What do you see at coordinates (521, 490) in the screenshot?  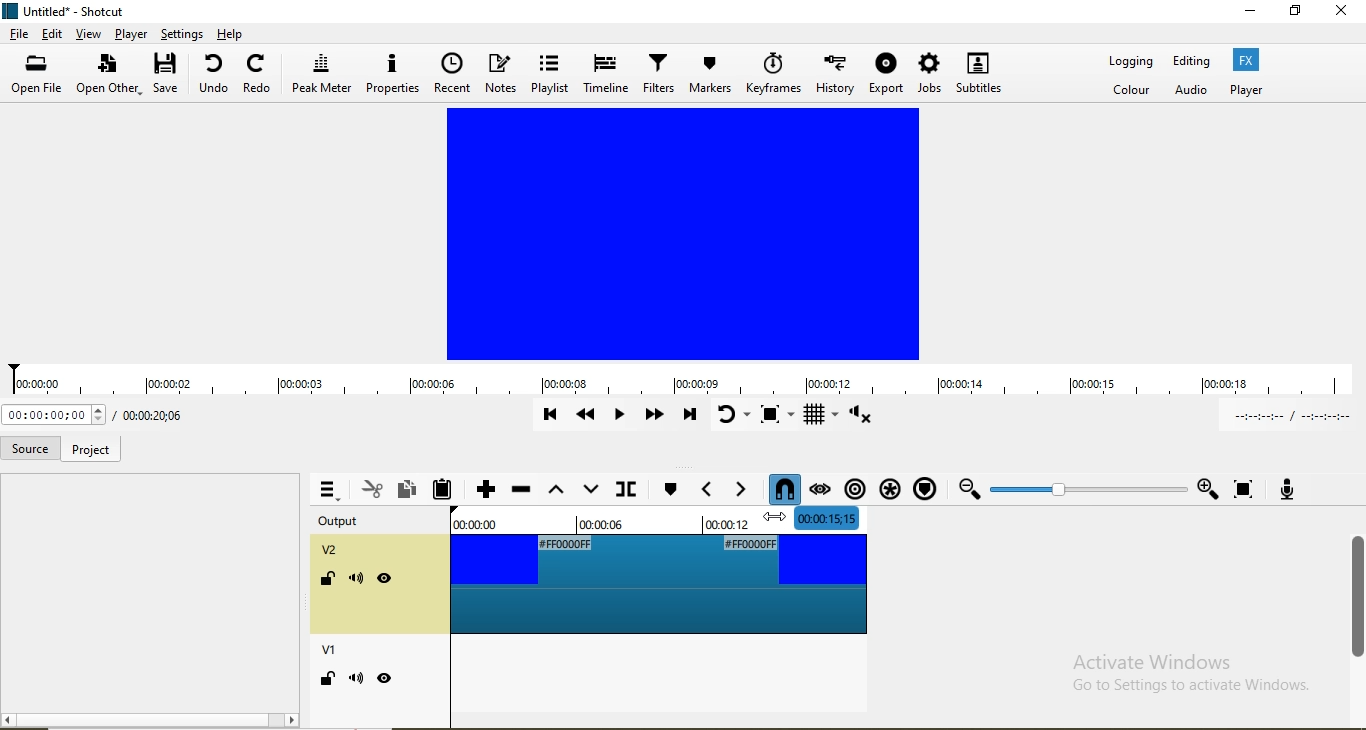 I see `Ripple delete` at bounding box center [521, 490].